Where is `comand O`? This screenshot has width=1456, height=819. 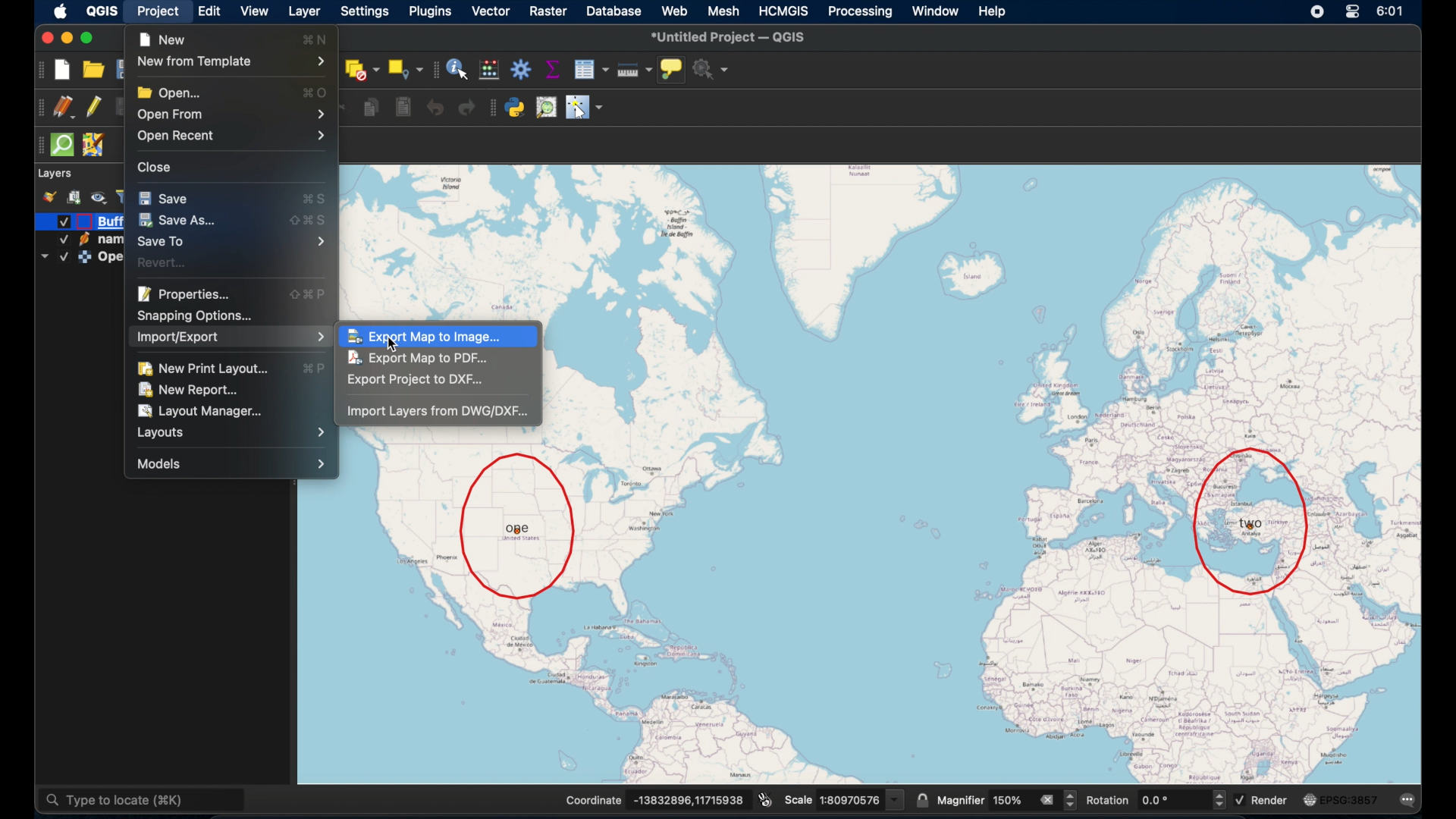 comand O is located at coordinates (320, 93).